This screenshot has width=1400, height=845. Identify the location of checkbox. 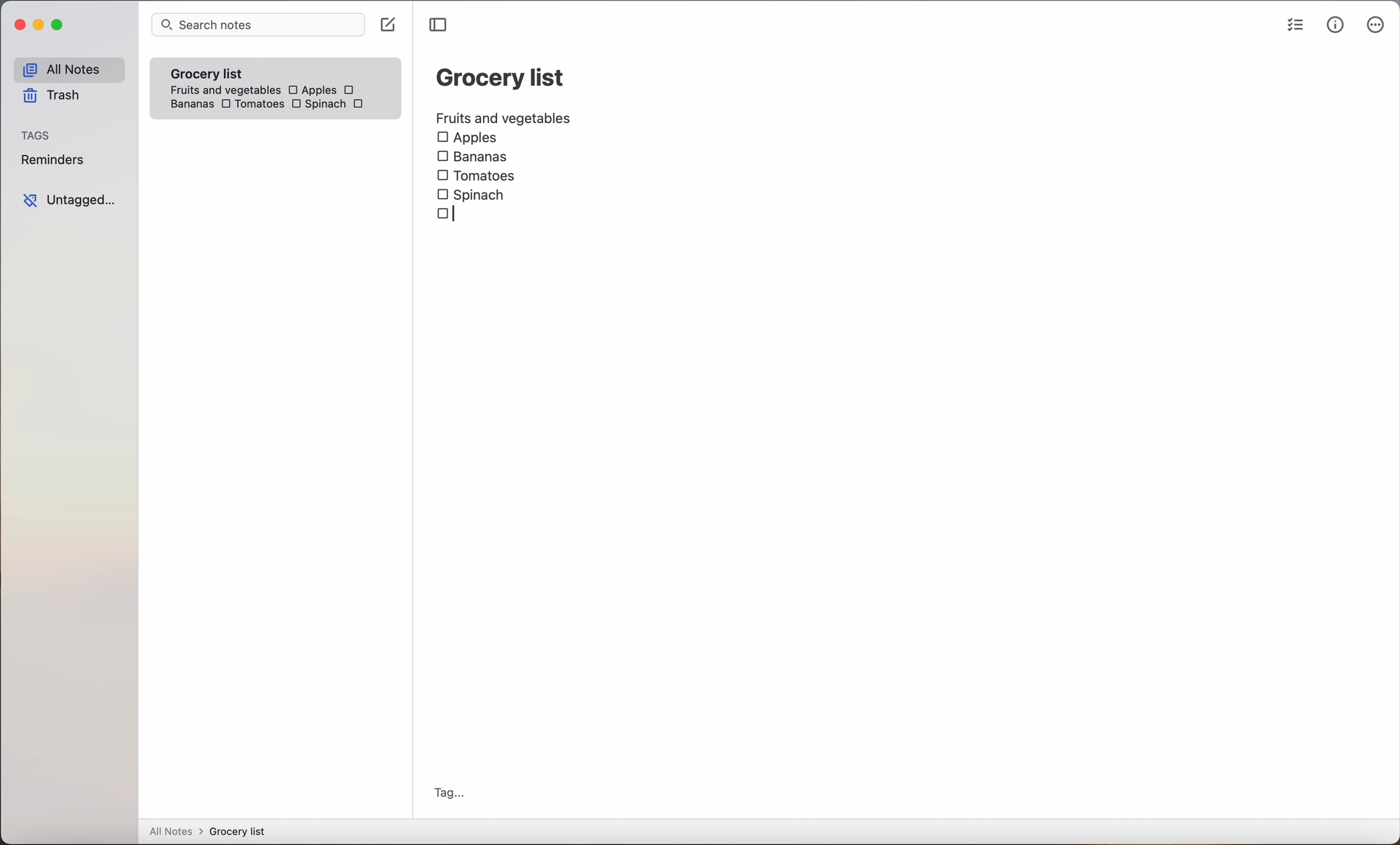
(449, 212).